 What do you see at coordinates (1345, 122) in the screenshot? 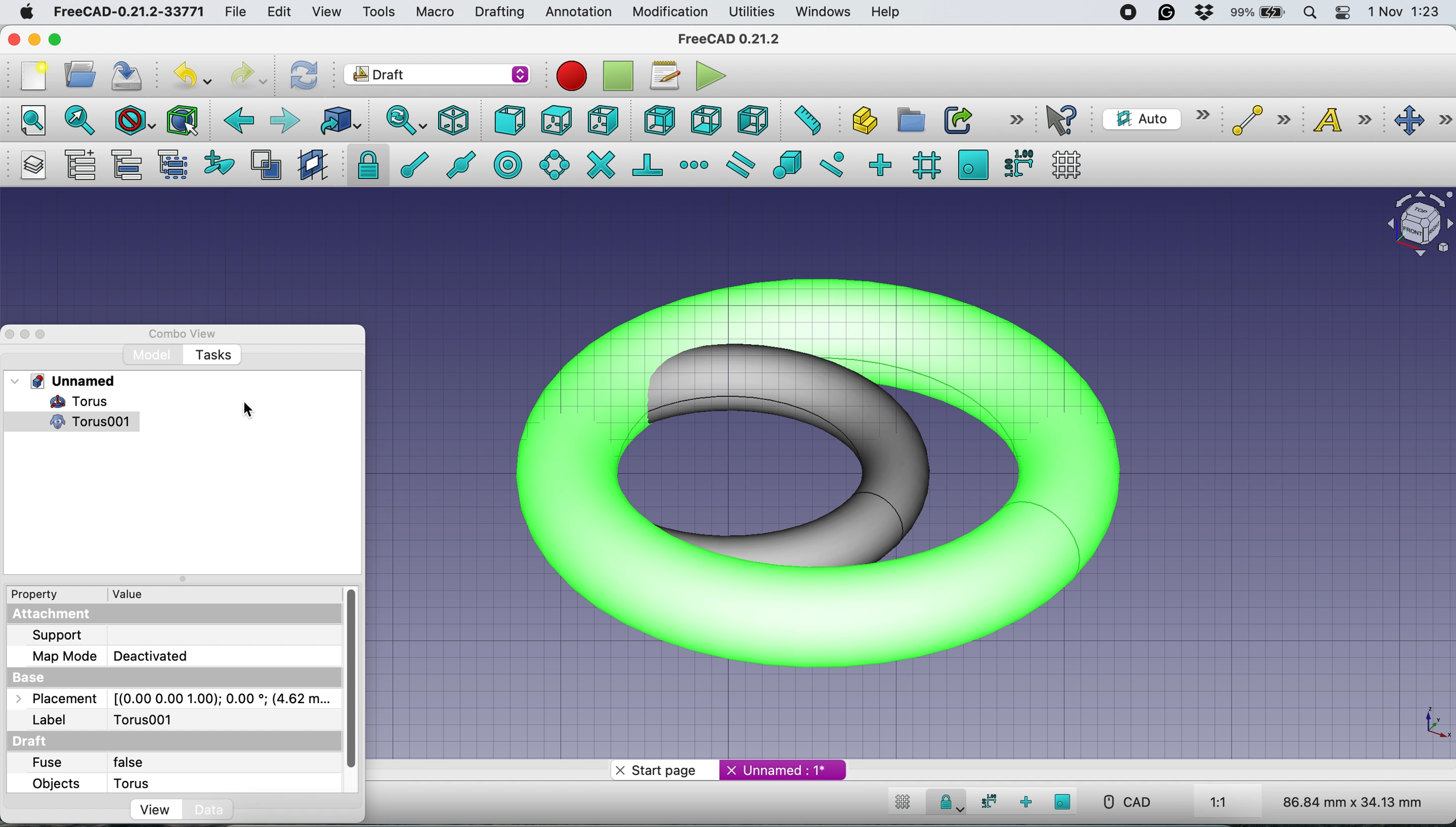
I see `text` at bounding box center [1345, 122].